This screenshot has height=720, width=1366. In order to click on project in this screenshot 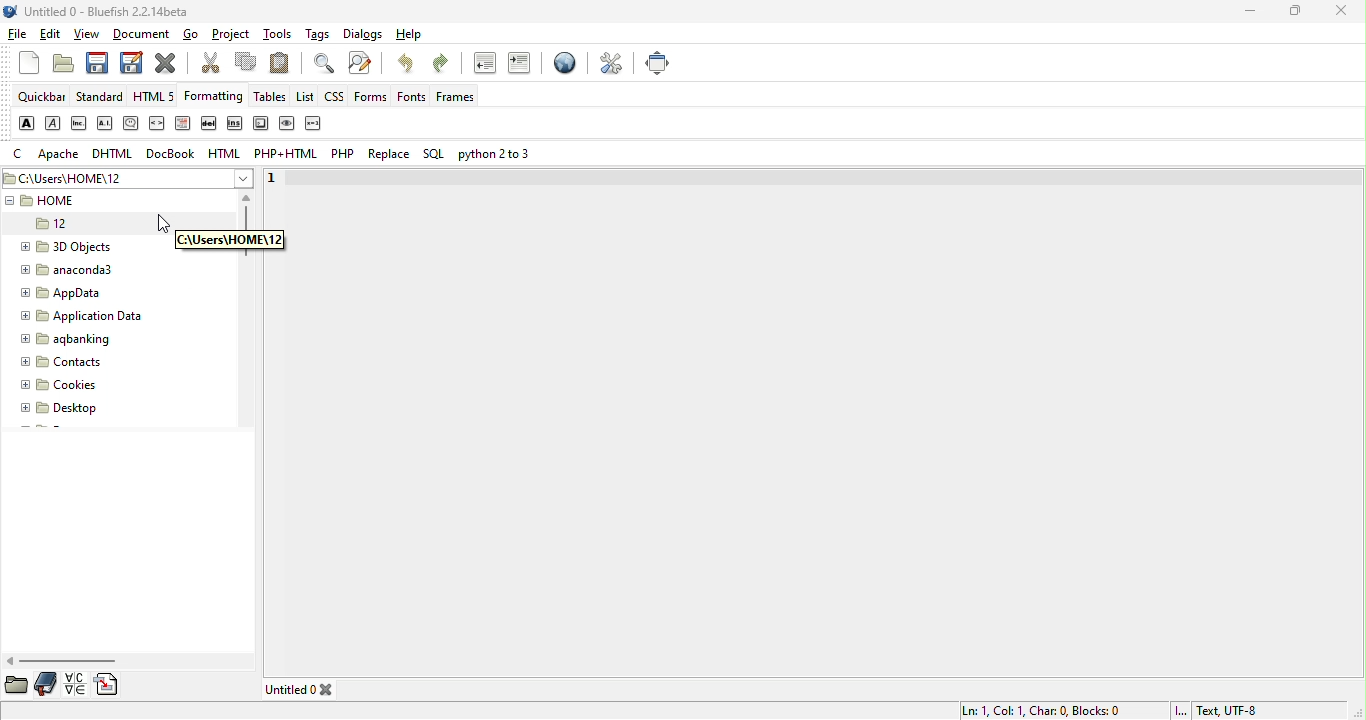, I will do `click(233, 35)`.